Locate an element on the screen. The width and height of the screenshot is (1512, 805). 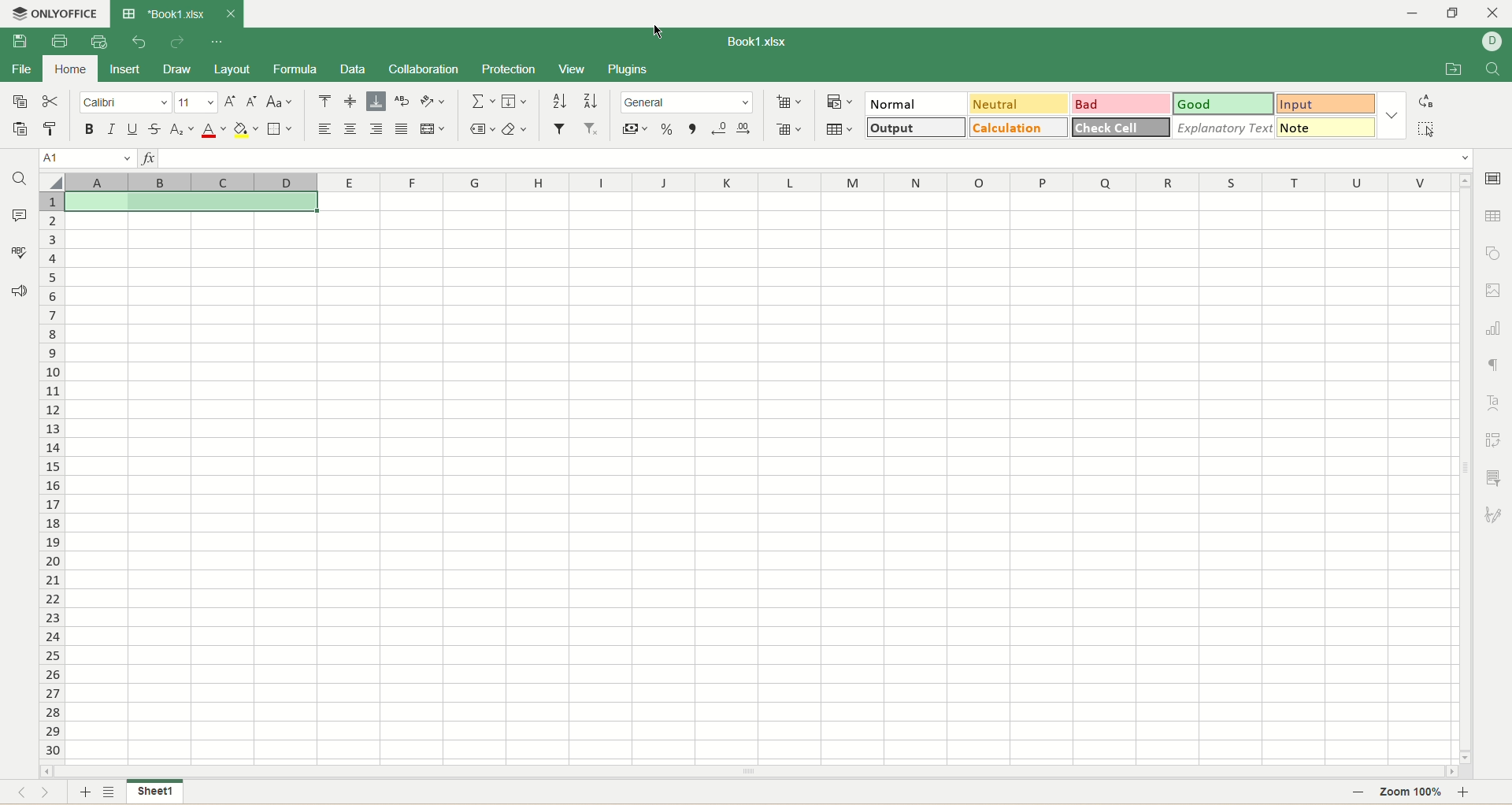
vertical scroll bar is located at coordinates (1463, 467).